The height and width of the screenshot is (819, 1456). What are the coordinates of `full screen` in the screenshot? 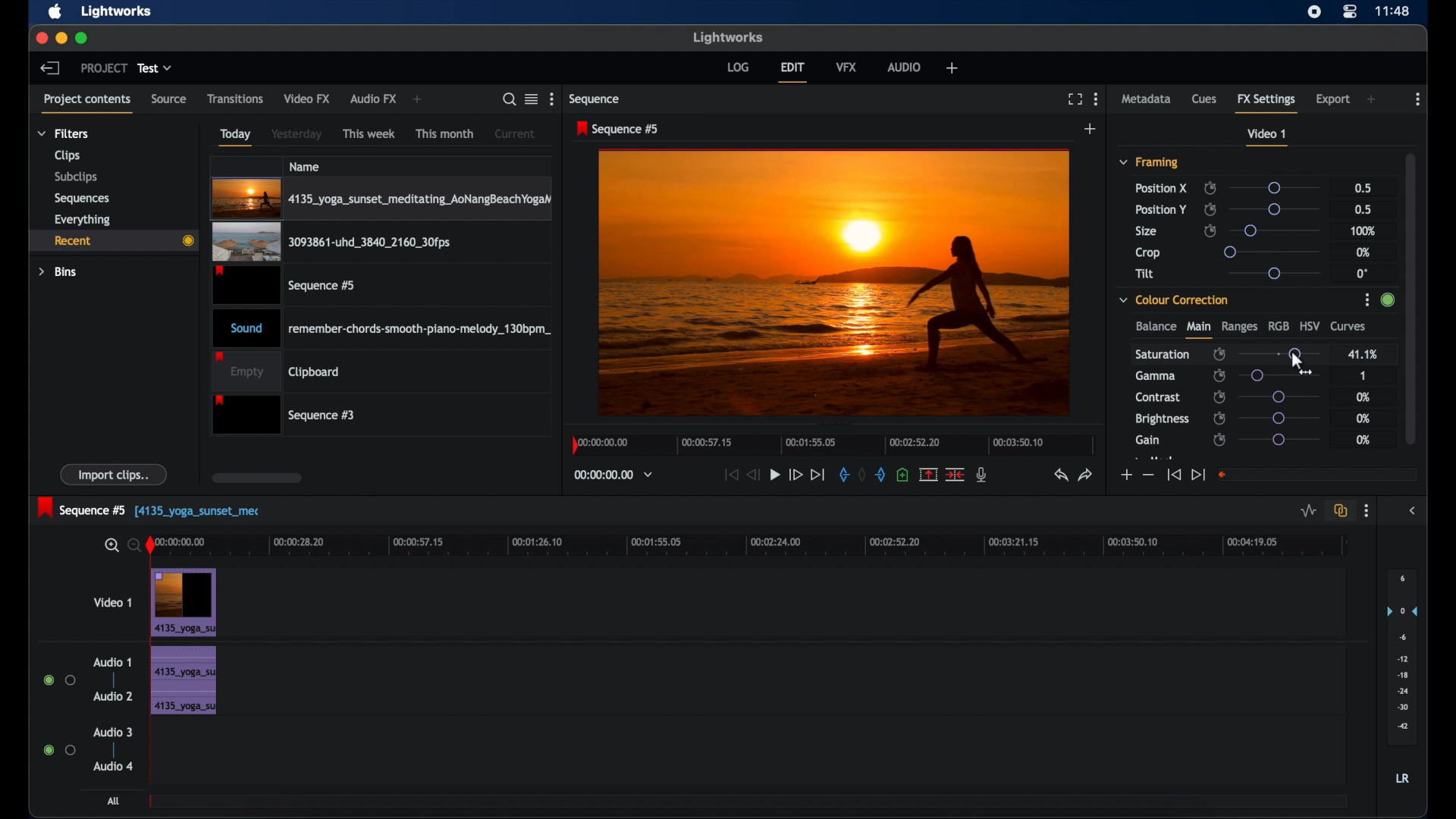 It's located at (1075, 99).